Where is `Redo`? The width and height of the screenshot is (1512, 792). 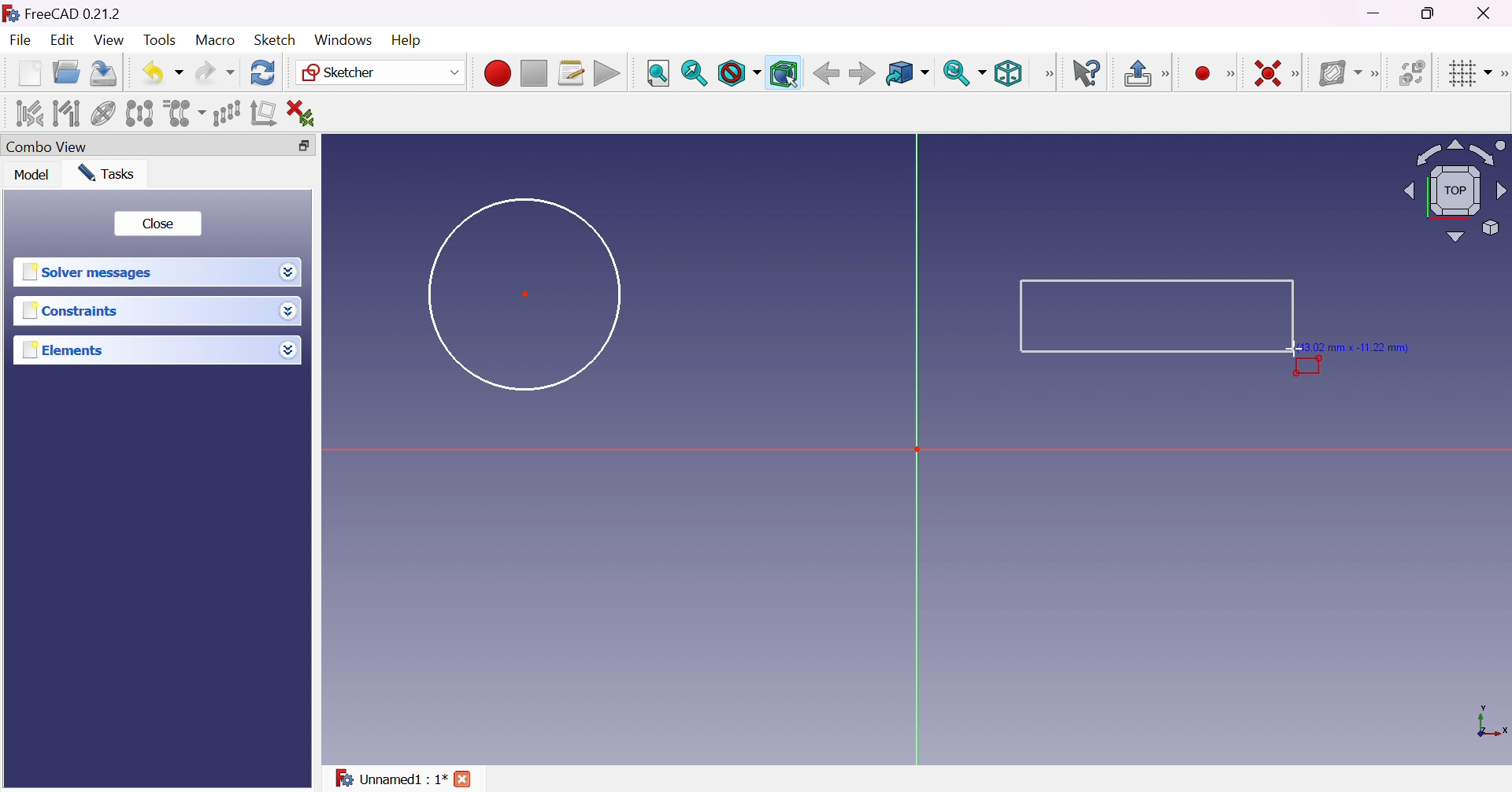
Redo is located at coordinates (215, 72).